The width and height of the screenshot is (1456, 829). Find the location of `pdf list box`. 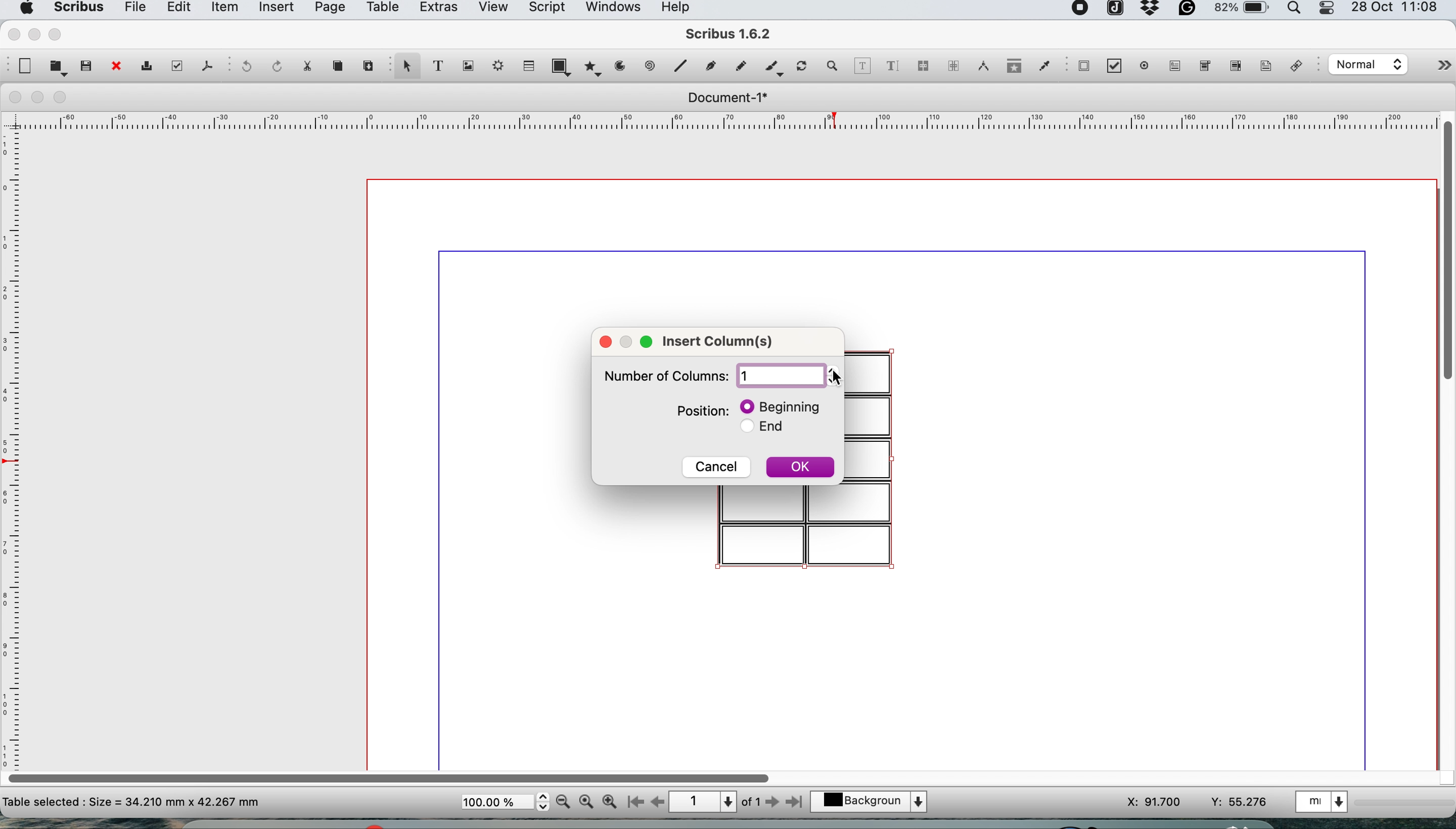

pdf list box is located at coordinates (1234, 68).